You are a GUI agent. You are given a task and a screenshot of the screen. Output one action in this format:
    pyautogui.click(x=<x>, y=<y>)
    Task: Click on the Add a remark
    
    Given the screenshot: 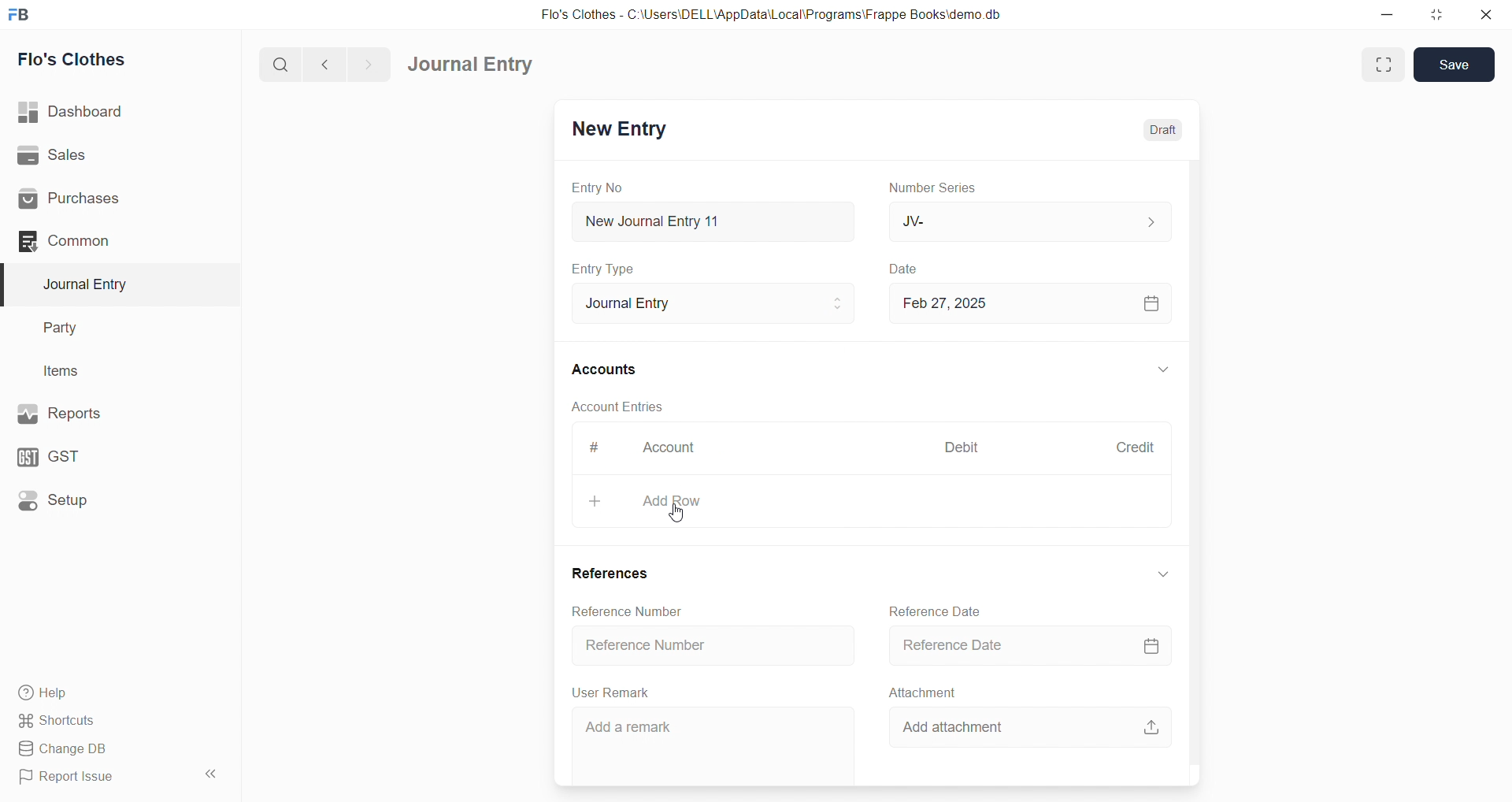 What is the action you would take?
    pyautogui.click(x=712, y=746)
    